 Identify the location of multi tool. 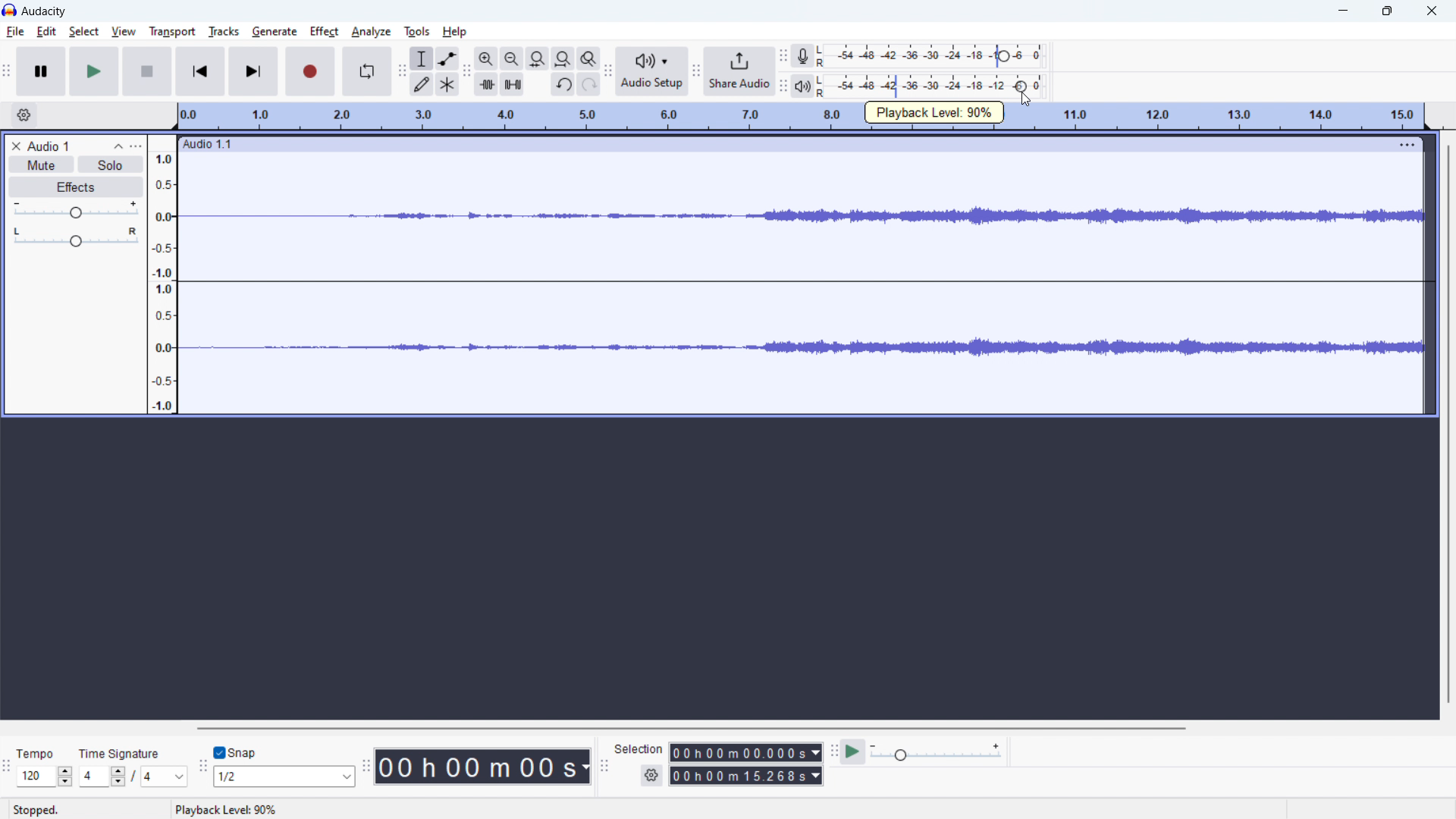
(447, 84).